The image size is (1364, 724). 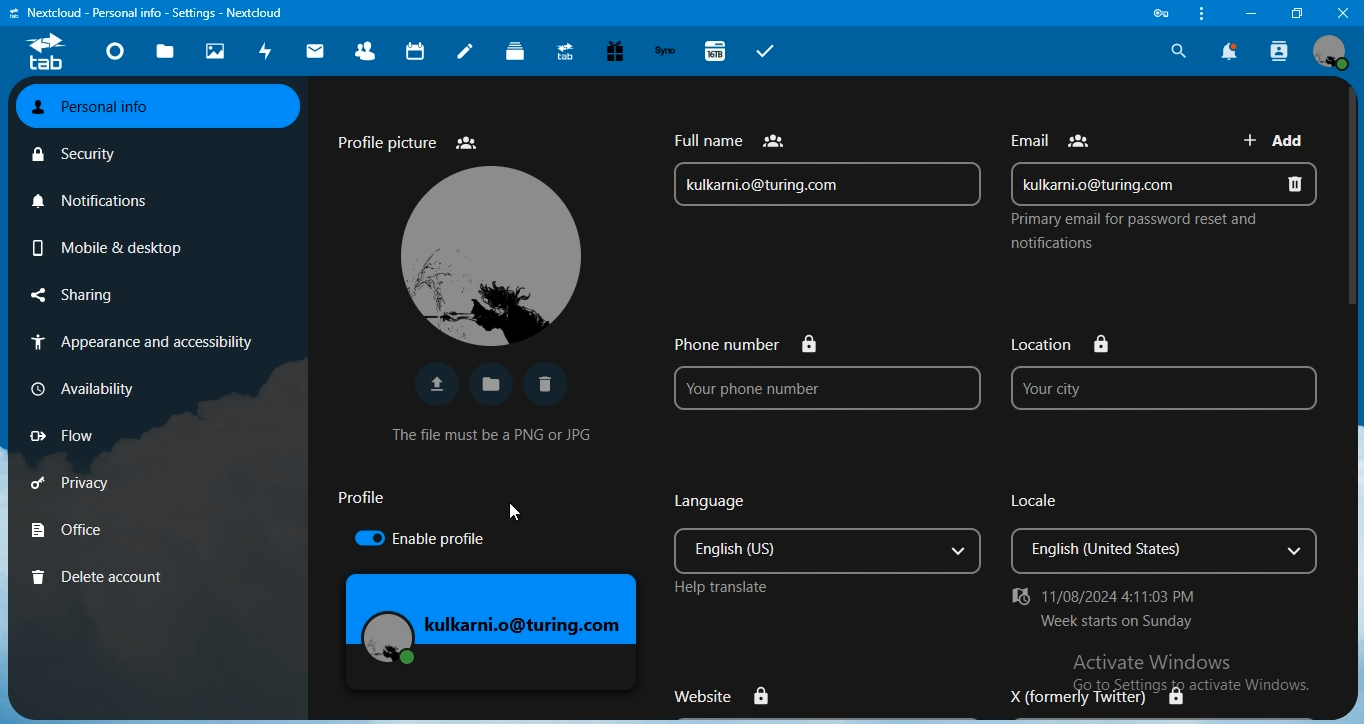 I want to click on restore window, so click(x=1292, y=12).